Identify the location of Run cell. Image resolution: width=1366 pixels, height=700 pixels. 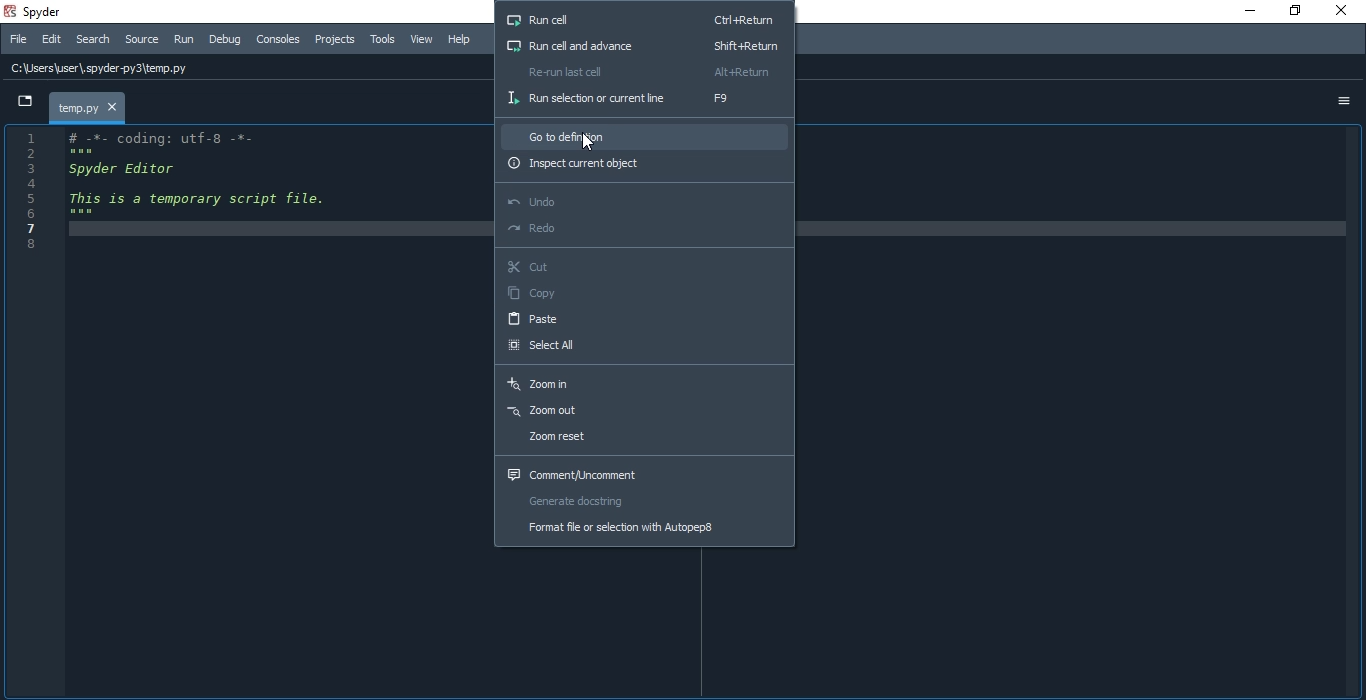
(640, 19).